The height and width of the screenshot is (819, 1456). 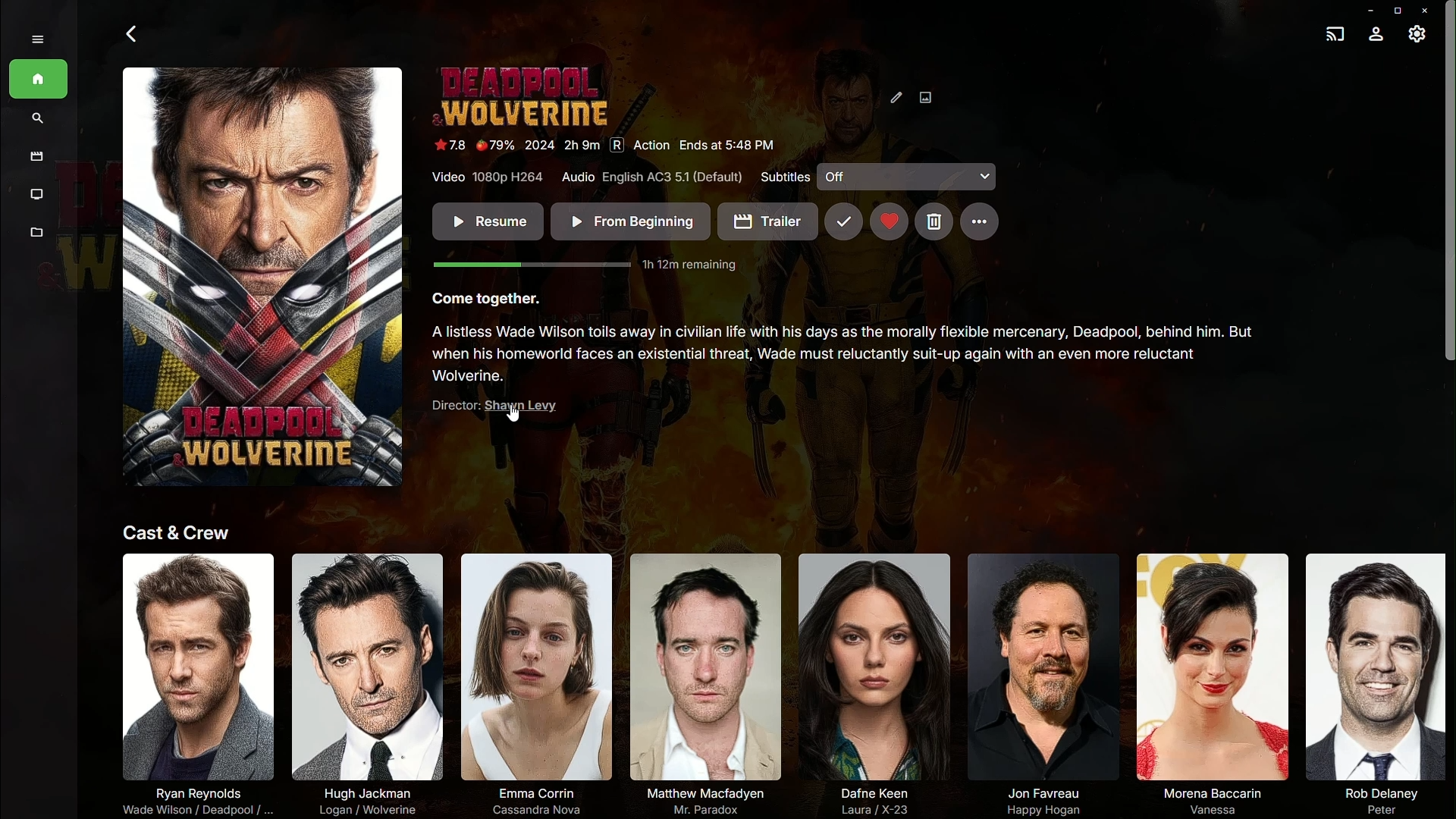 What do you see at coordinates (36, 40) in the screenshot?
I see `SHow menu` at bounding box center [36, 40].